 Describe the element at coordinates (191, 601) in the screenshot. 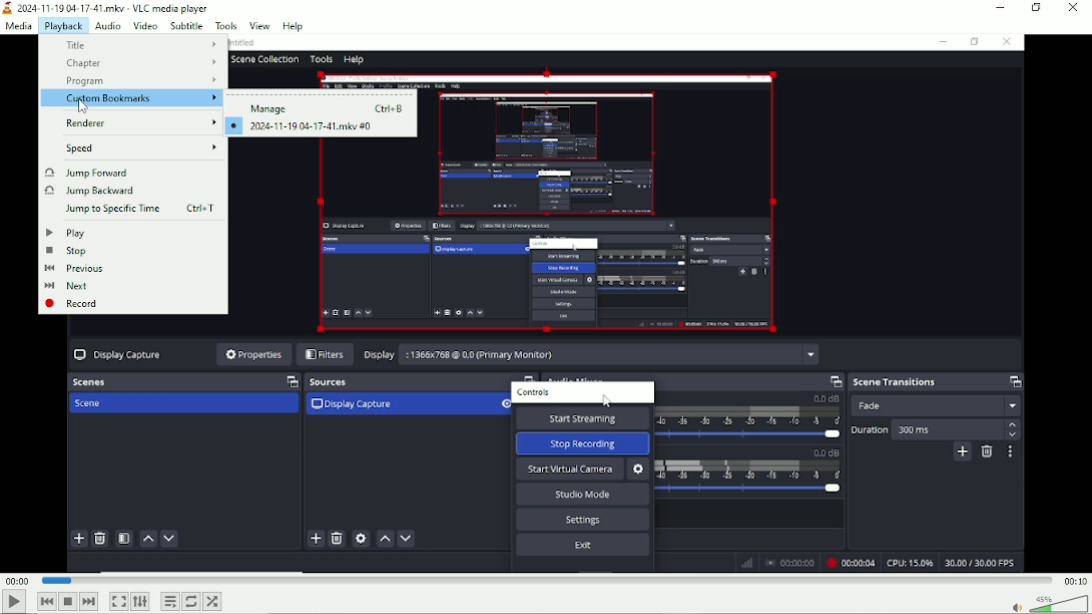

I see `Toggle between loop all, loop one and no loop` at that location.